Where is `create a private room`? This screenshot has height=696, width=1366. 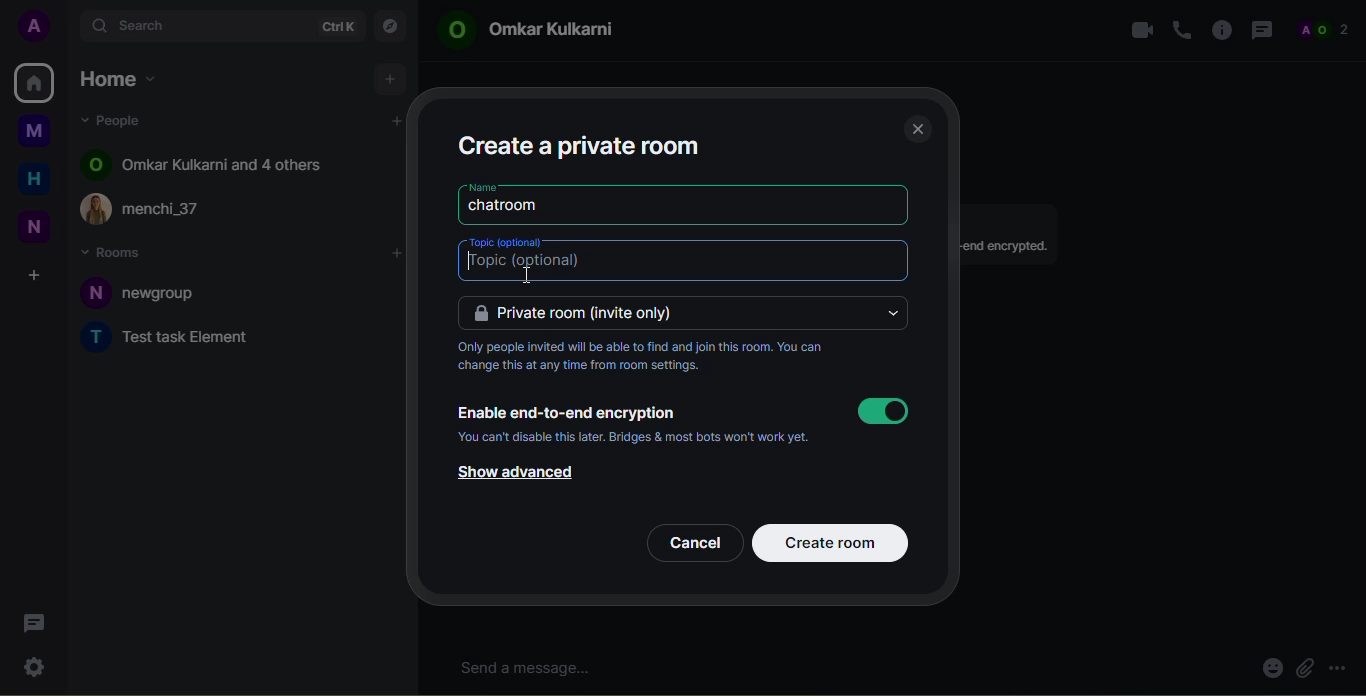 create a private room is located at coordinates (582, 144).